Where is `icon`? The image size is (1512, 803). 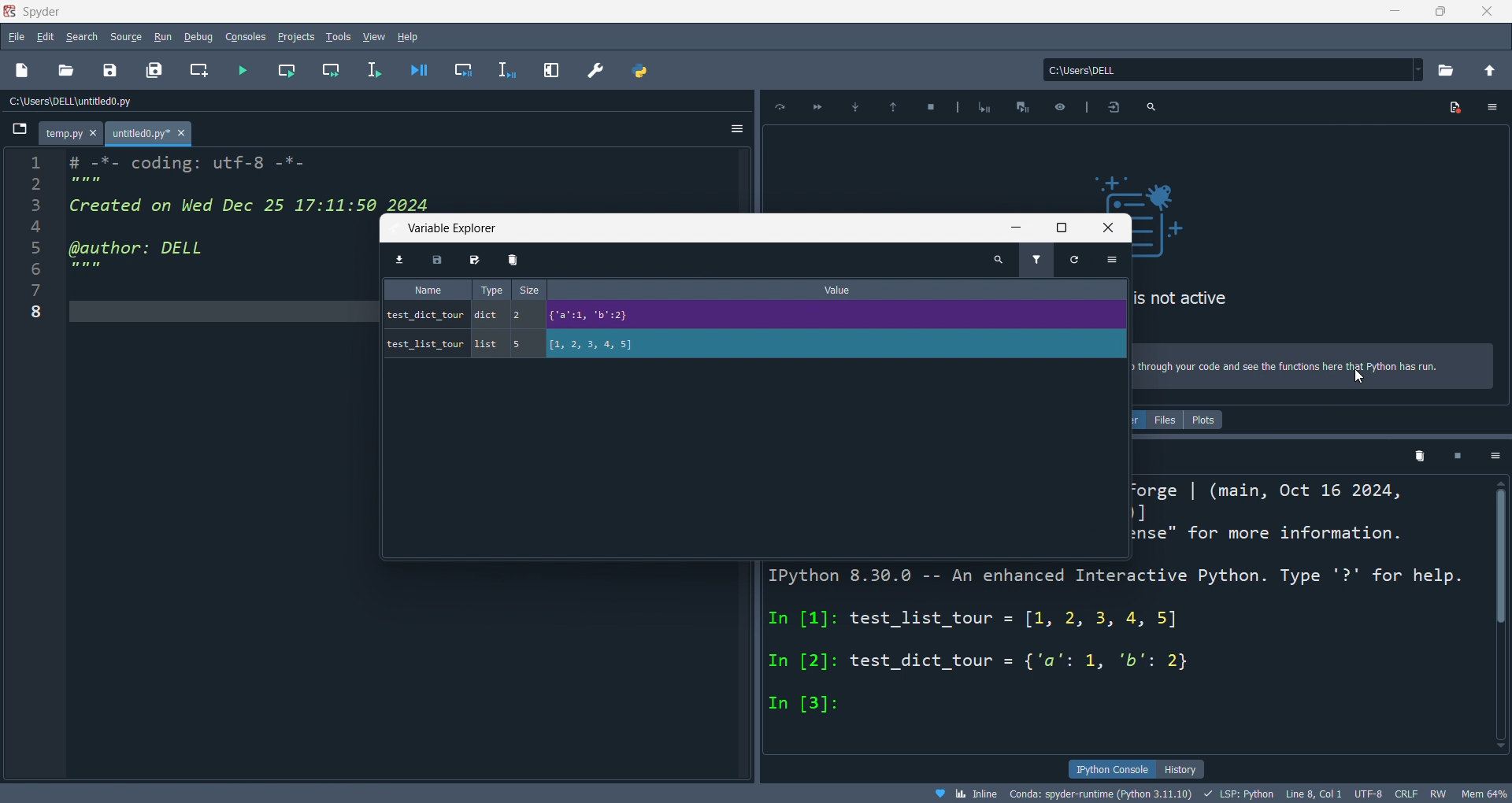
icon is located at coordinates (817, 108).